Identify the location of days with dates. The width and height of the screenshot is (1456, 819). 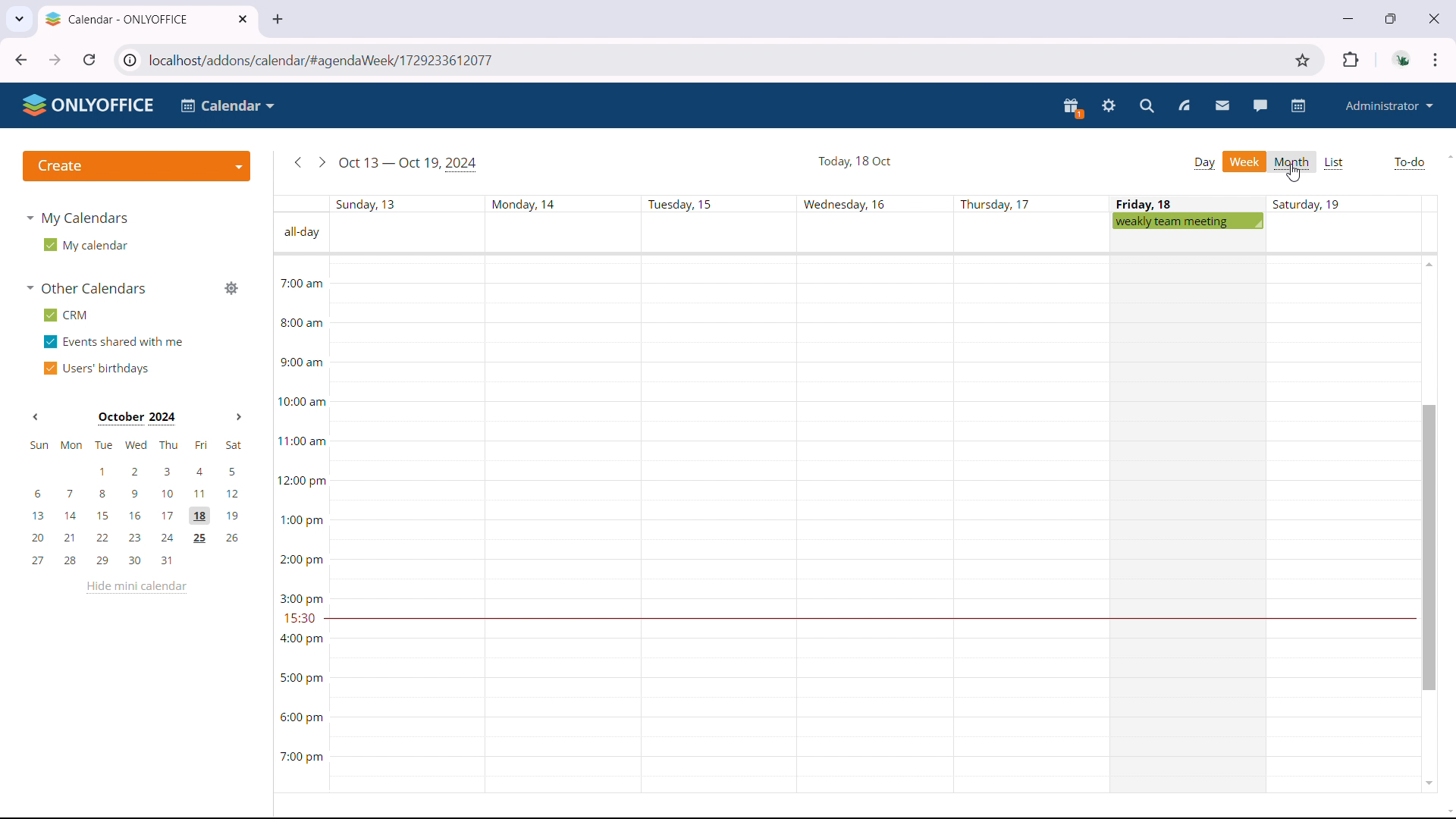
(854, 205).